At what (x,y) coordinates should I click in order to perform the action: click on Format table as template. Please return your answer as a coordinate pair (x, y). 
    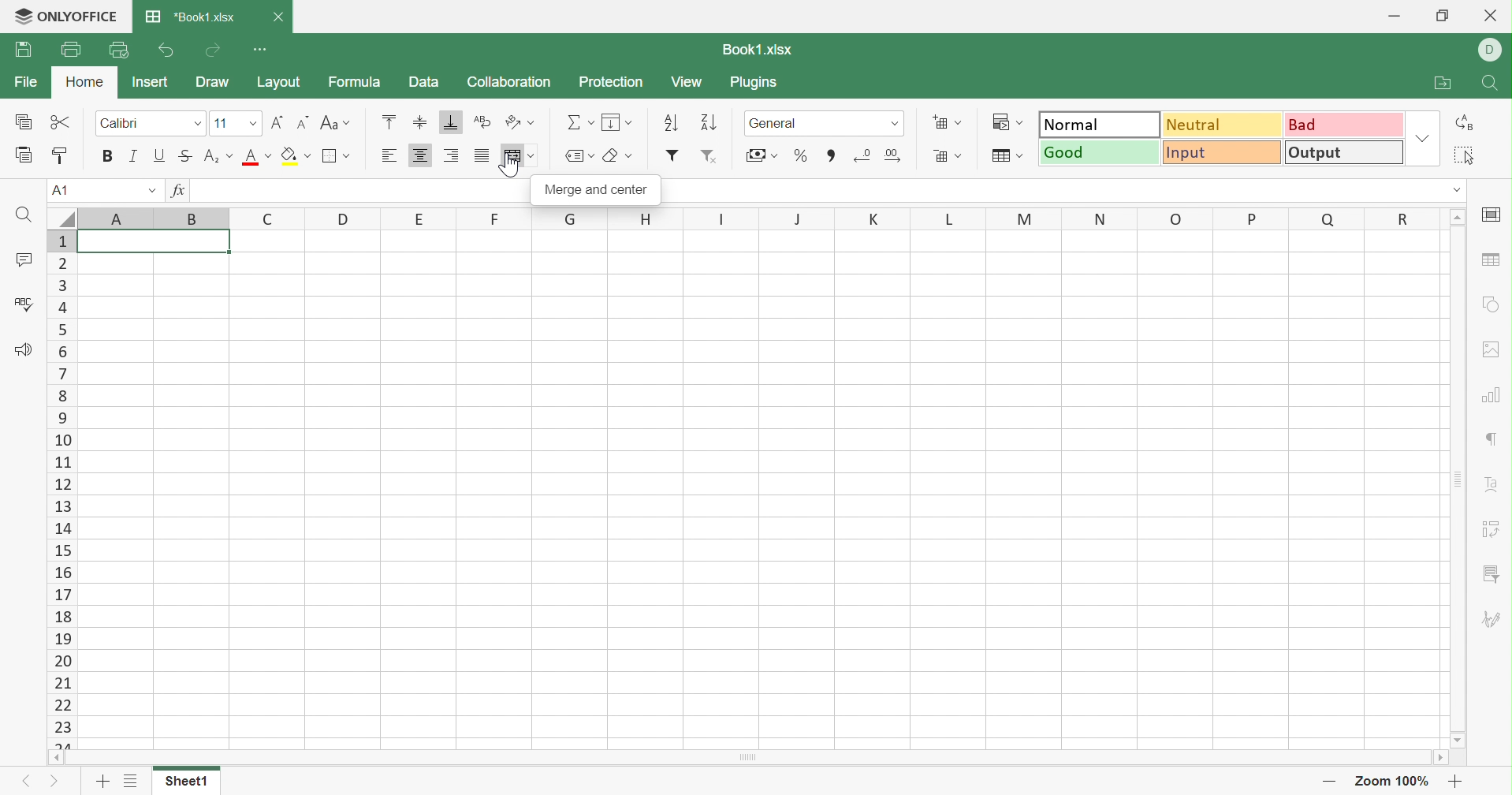
    Looking at the image, I should click on (1006, 157).